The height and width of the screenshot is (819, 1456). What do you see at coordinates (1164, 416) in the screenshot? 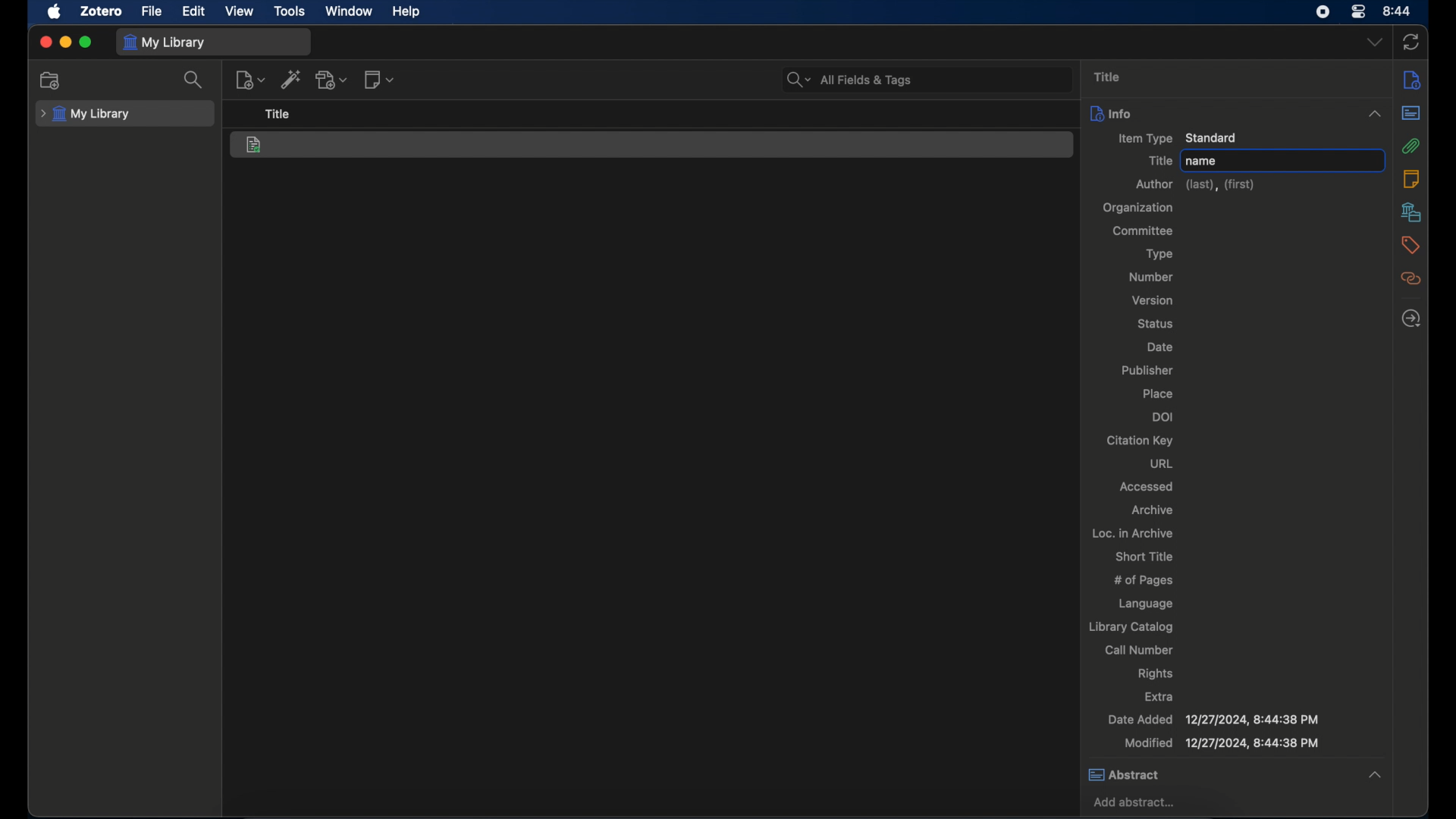
I see `doi` at bounding box center [1164, 416].